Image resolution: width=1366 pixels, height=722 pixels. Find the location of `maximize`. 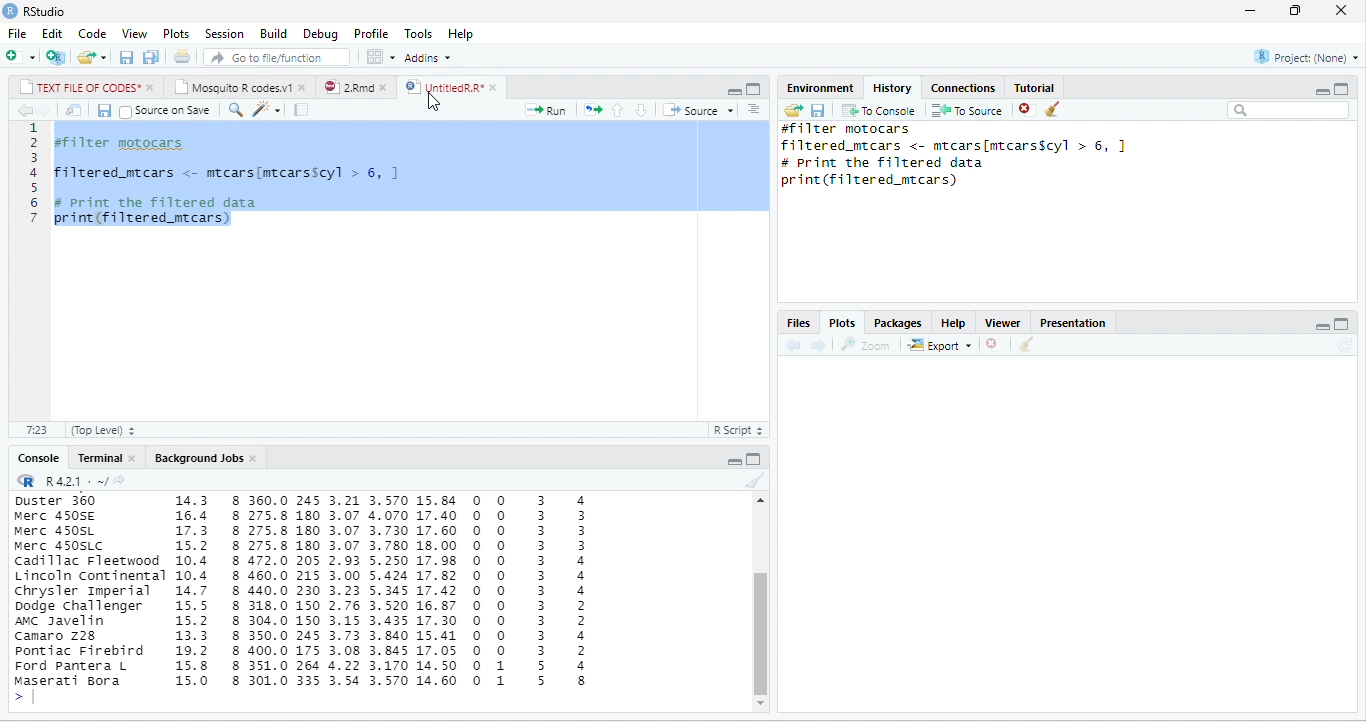

maximize is located at coordinates (1342, 324).